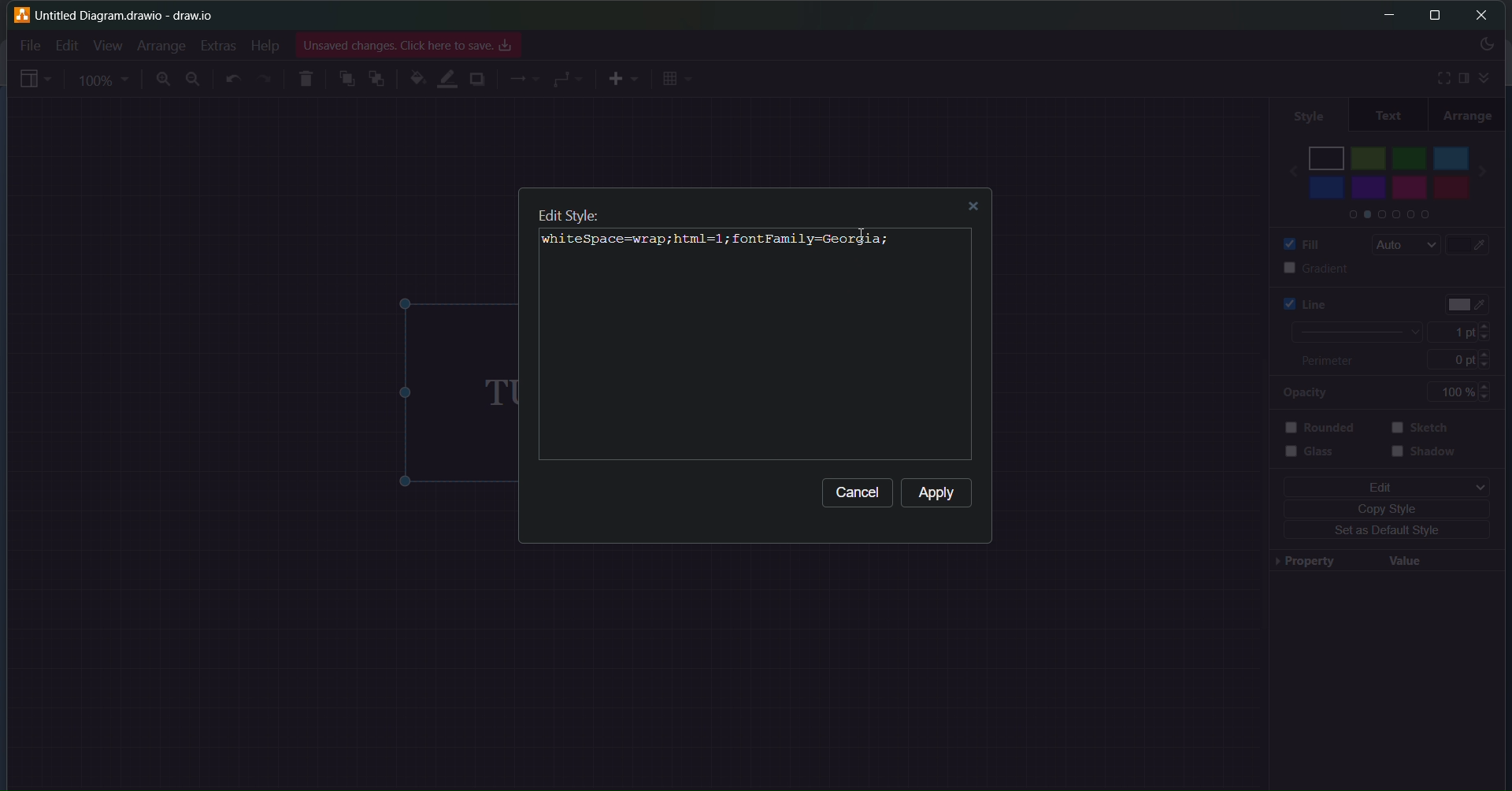  What do you see at coordinates (1385, 217) in the screenshot?
I see `color palletes` at bounding box center [1385, 217].